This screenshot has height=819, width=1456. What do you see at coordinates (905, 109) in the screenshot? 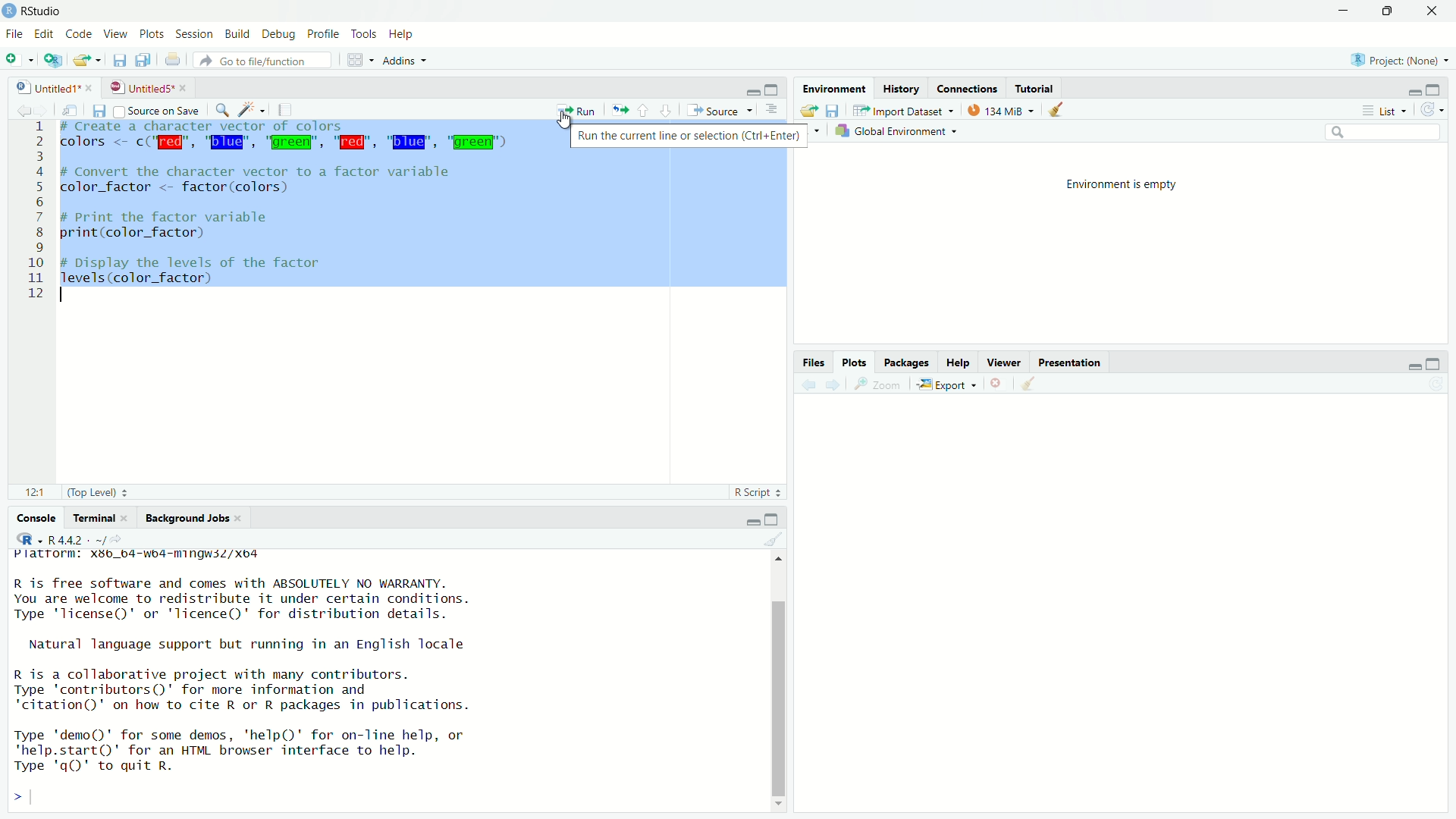
I see `import dataset` at bounding box center [905, 109].